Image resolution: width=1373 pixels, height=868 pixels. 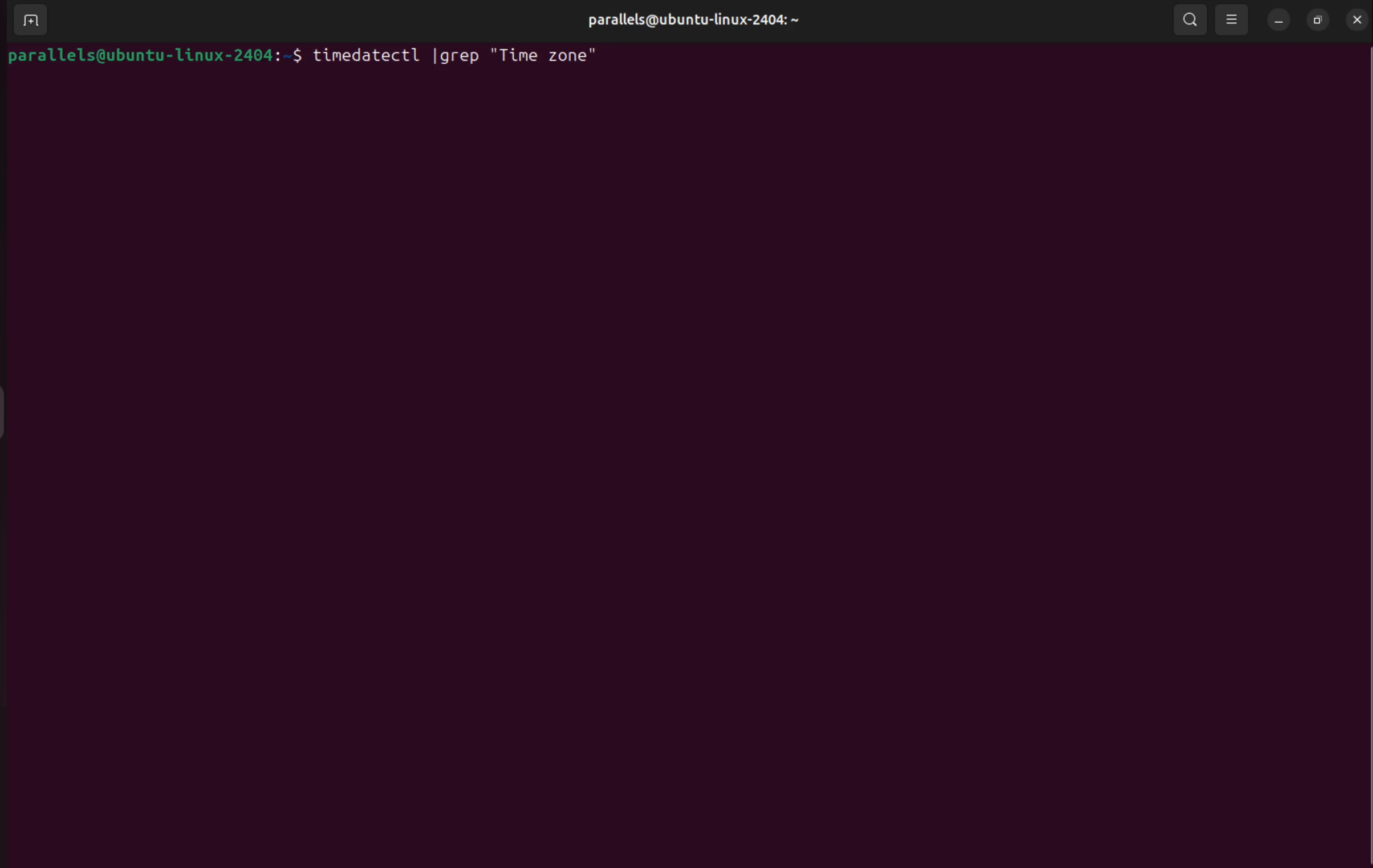 I want to click on parallels@ubuntu-linux-2404: ~, so click(x=686, y=22).